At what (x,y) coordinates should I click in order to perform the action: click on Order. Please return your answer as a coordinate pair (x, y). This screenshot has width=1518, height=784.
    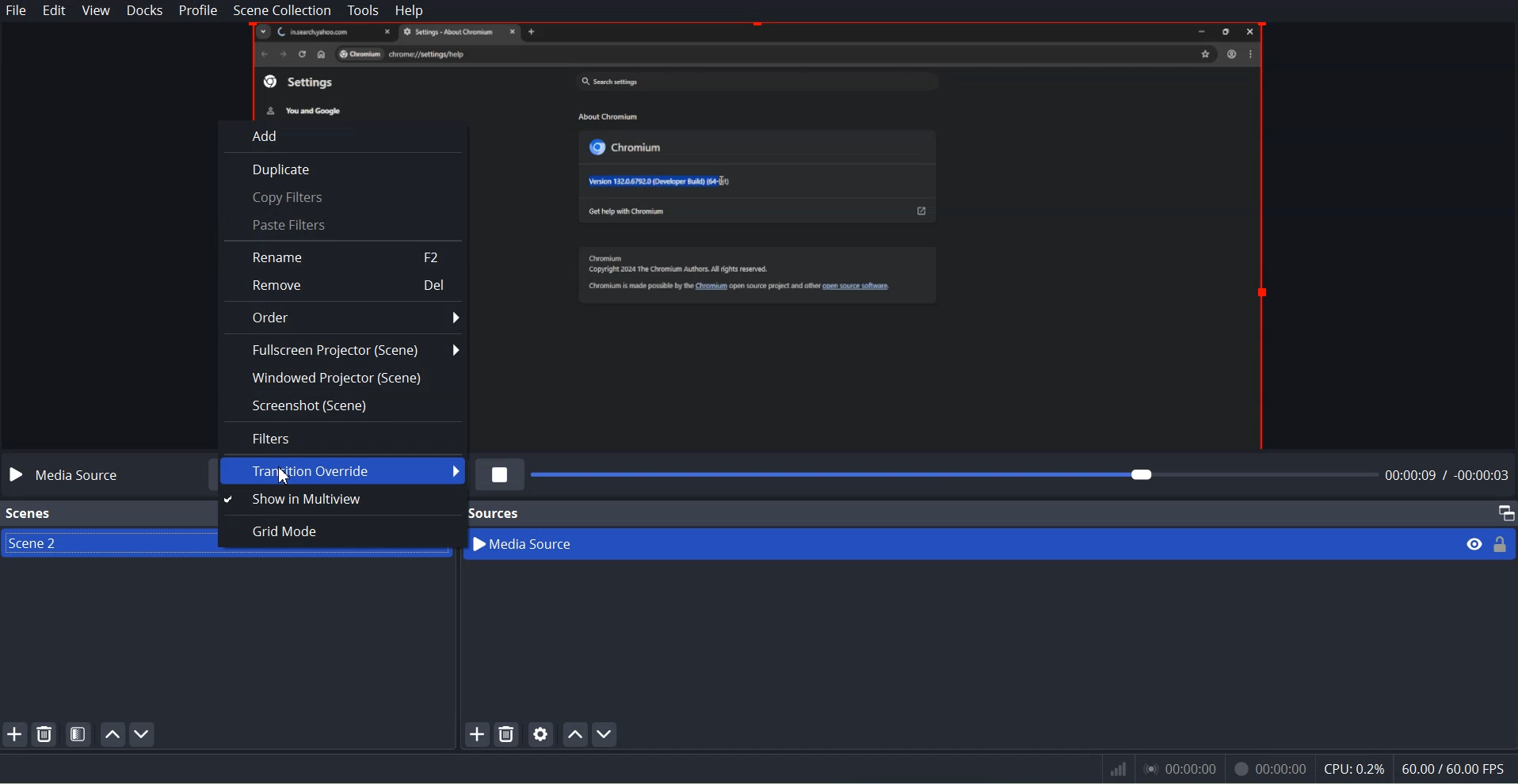
    Looking at the image, I should click on (345, 318).